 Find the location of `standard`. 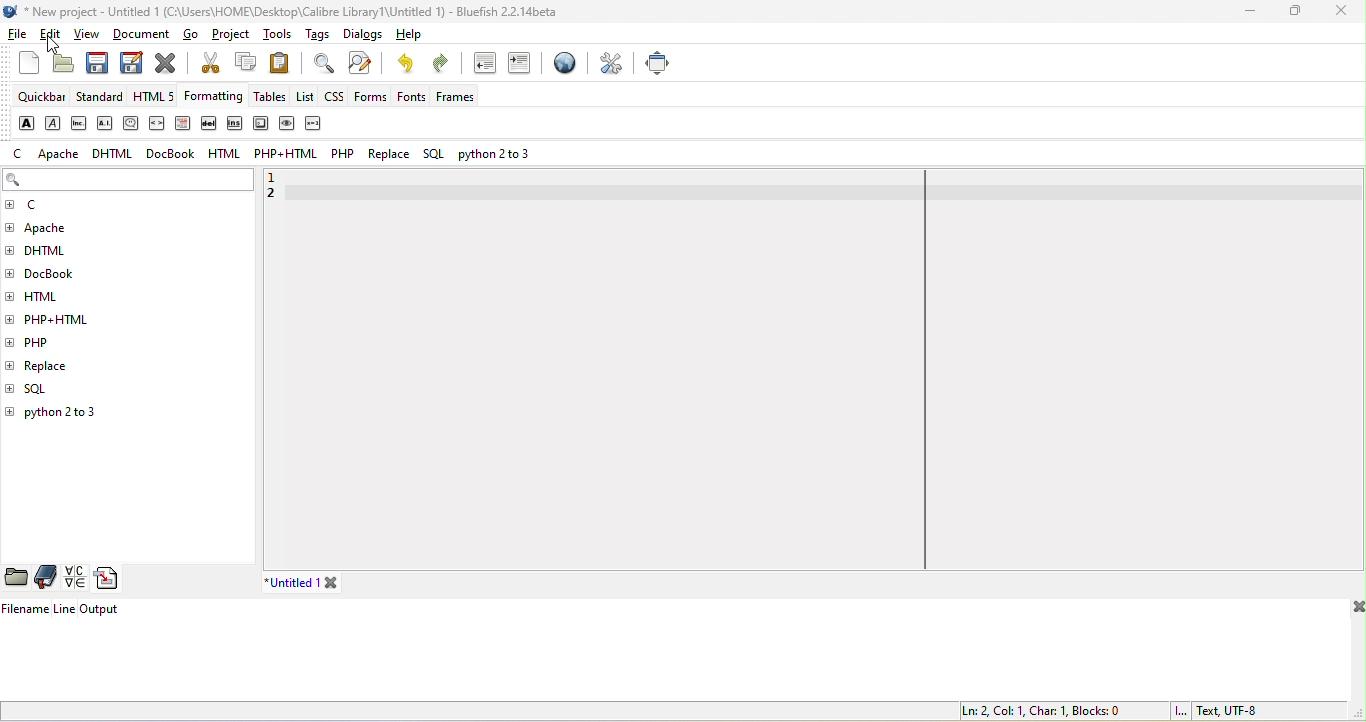

standard is located at coordinates (102, 96).